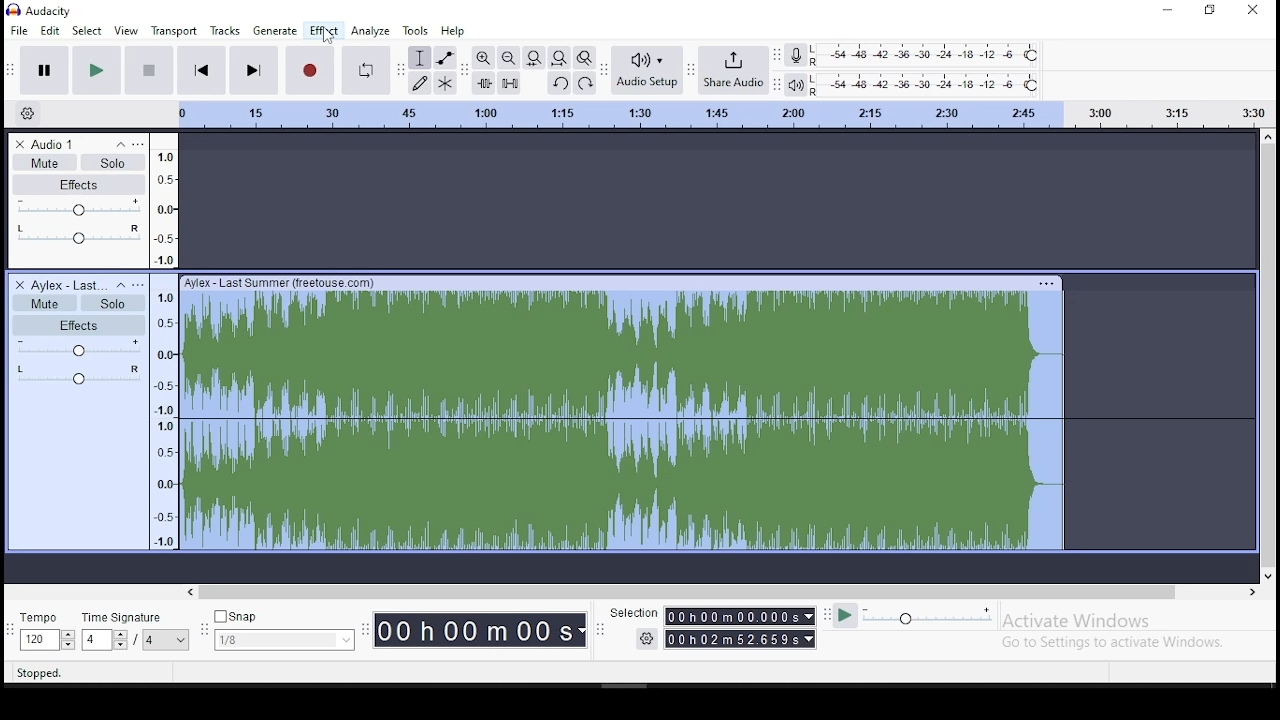 This screenshot has height=720, width=1280. Describe the element at coordinates (323, 31) in the screenshot. I see `effect` at that location.